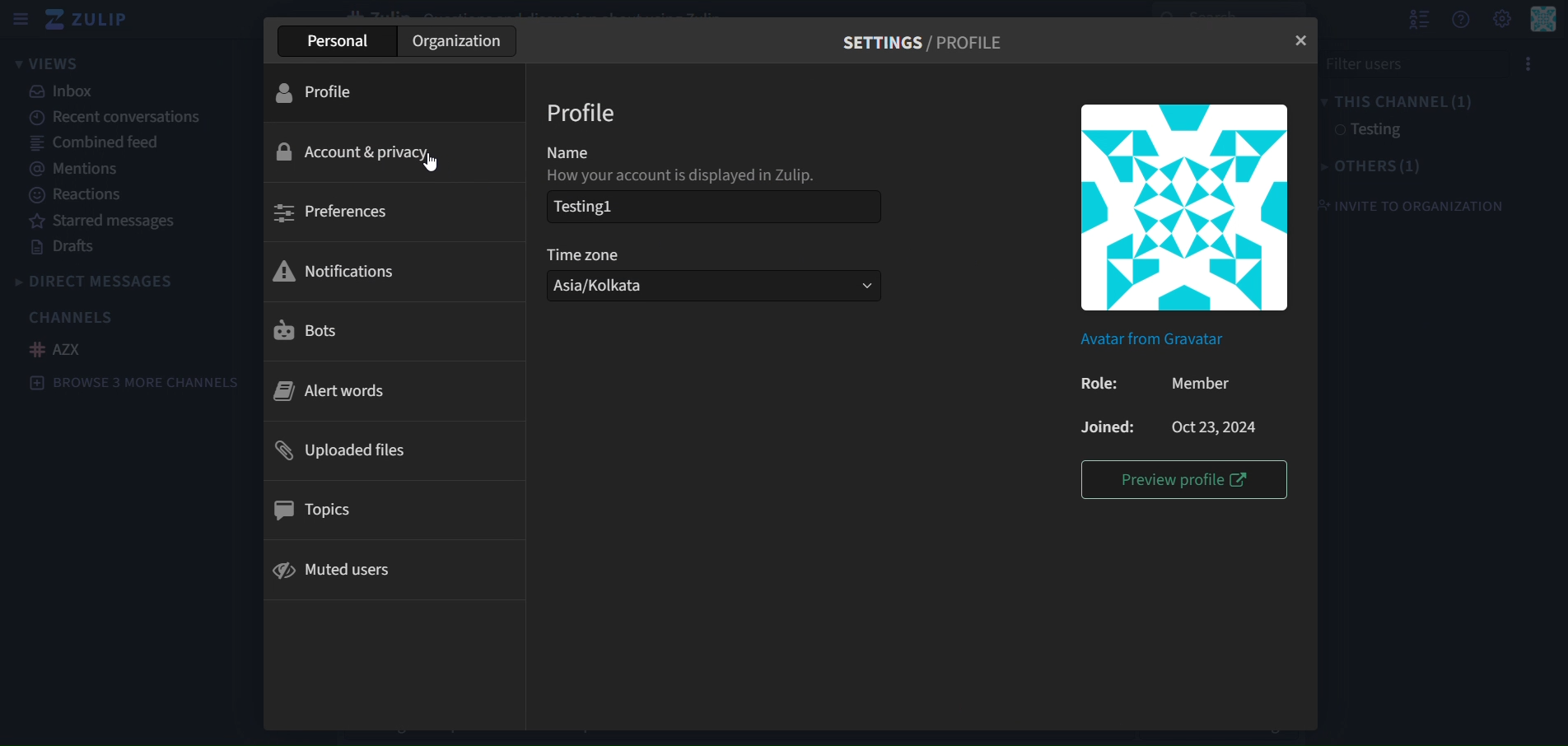  What do you see at coordinates (1543, 20) in the screenshot?
I see `Main Menu` at bounding box center [1543, 20].